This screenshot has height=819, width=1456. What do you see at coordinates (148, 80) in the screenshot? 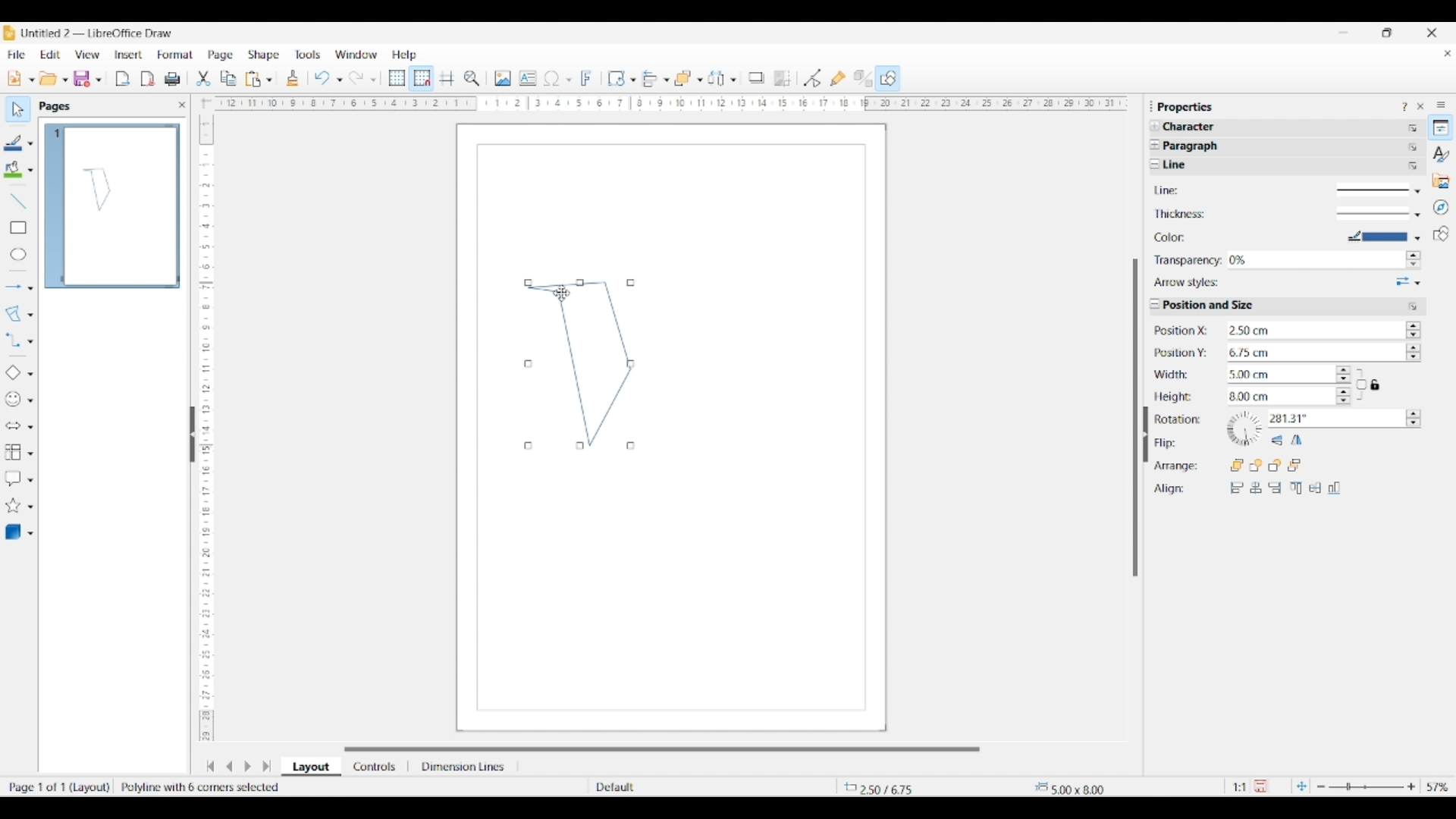
I see `Export directly as PDF` at bounding box center [148, 80].